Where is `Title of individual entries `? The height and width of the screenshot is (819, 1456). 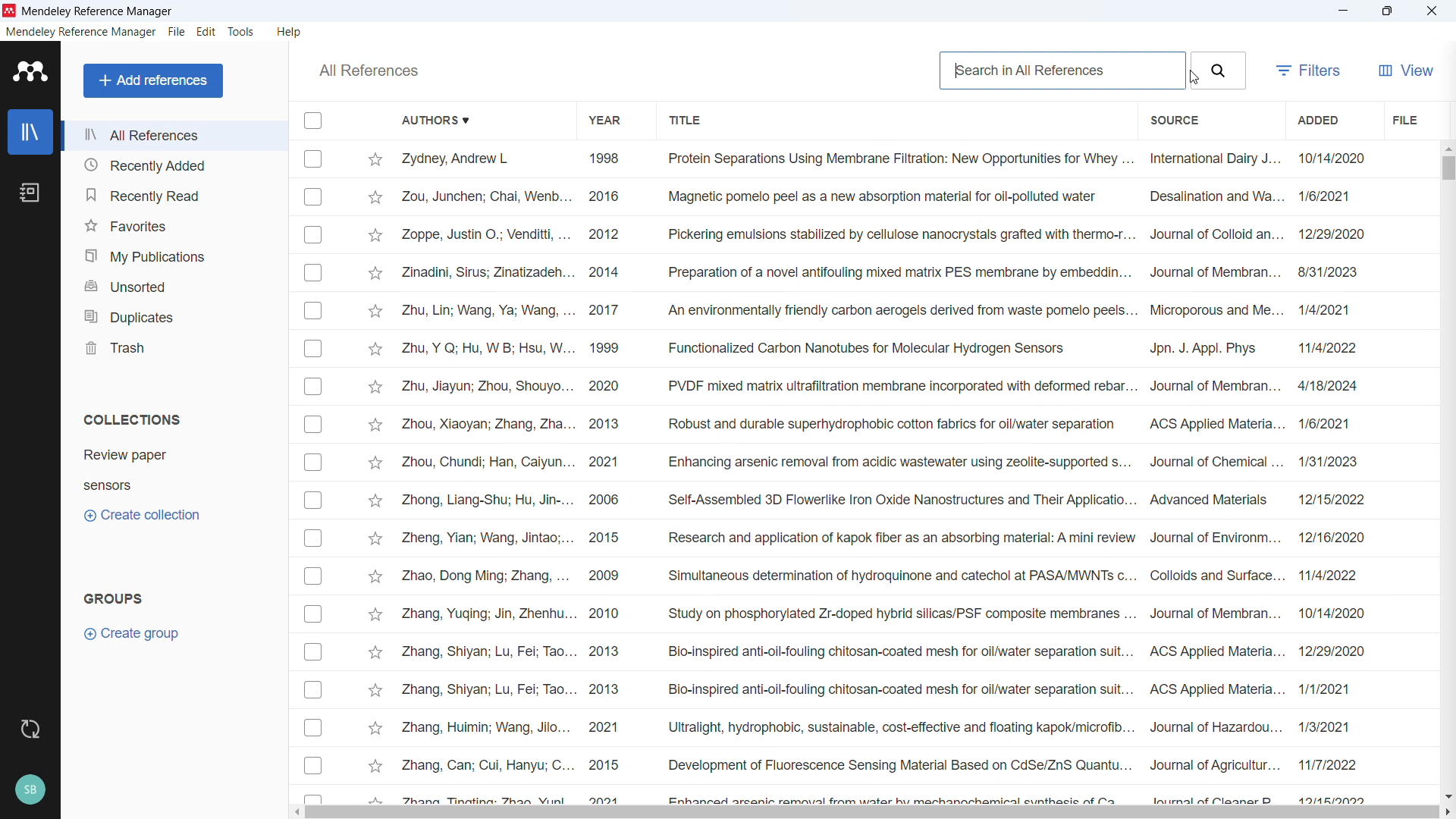
Title of individual entries  is located at coordinates (899, 475).